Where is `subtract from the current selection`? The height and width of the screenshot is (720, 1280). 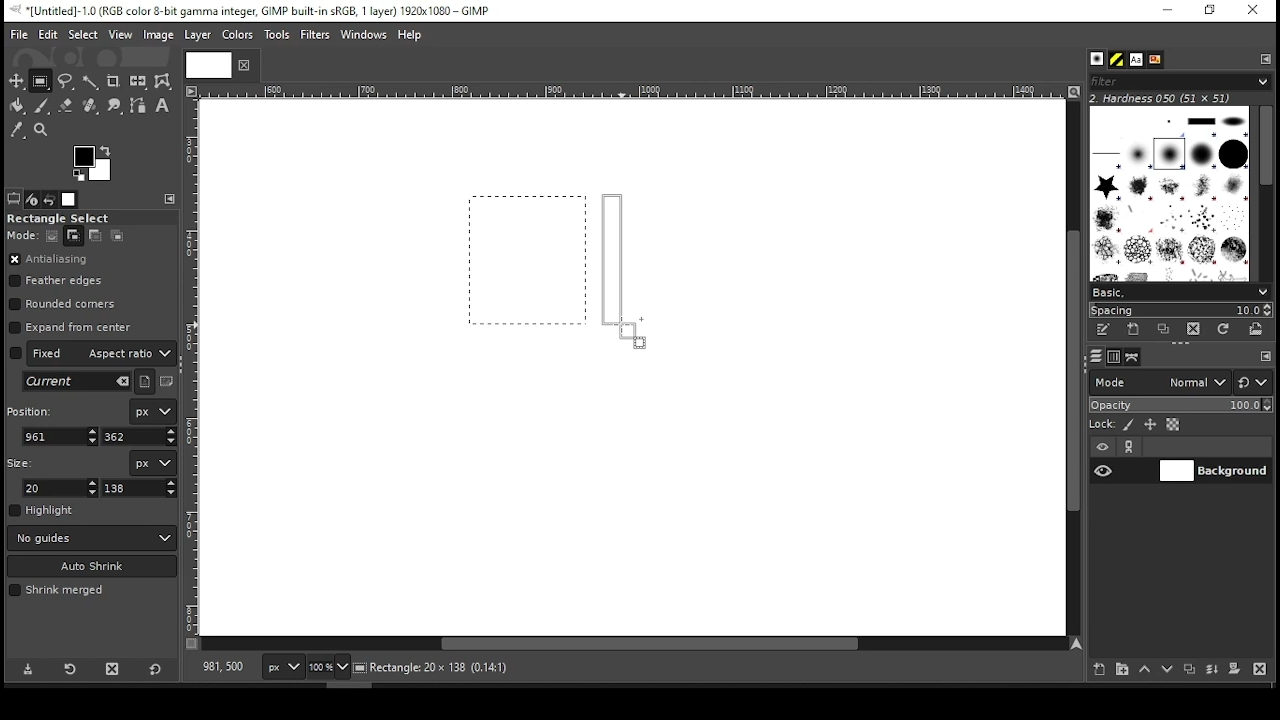 subtract from the current selection is located at coordinates (94, 236).